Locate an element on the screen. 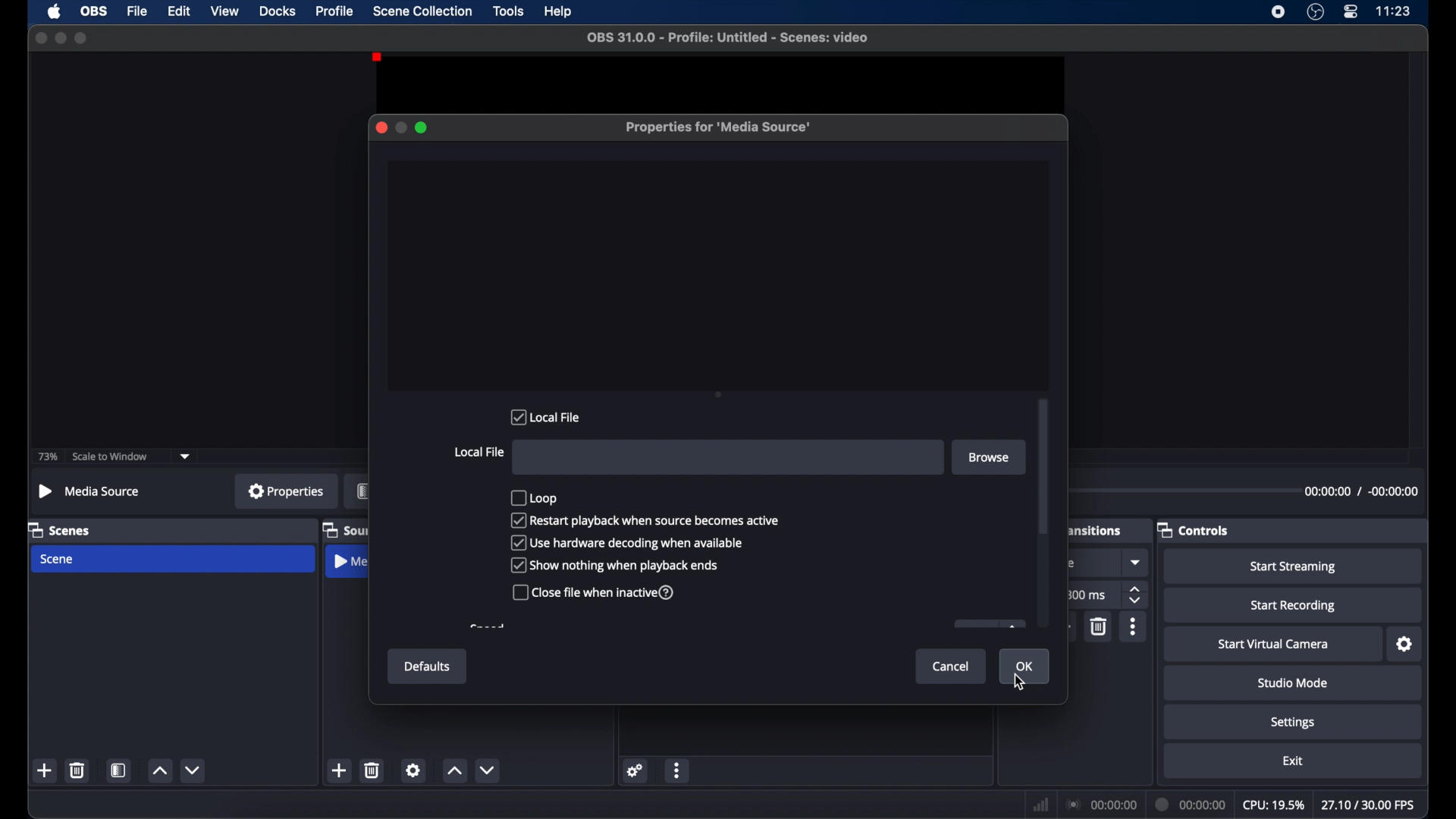 The height and width of the screenshot is (819, 1456). scenes is located at coordinates (60, 529).